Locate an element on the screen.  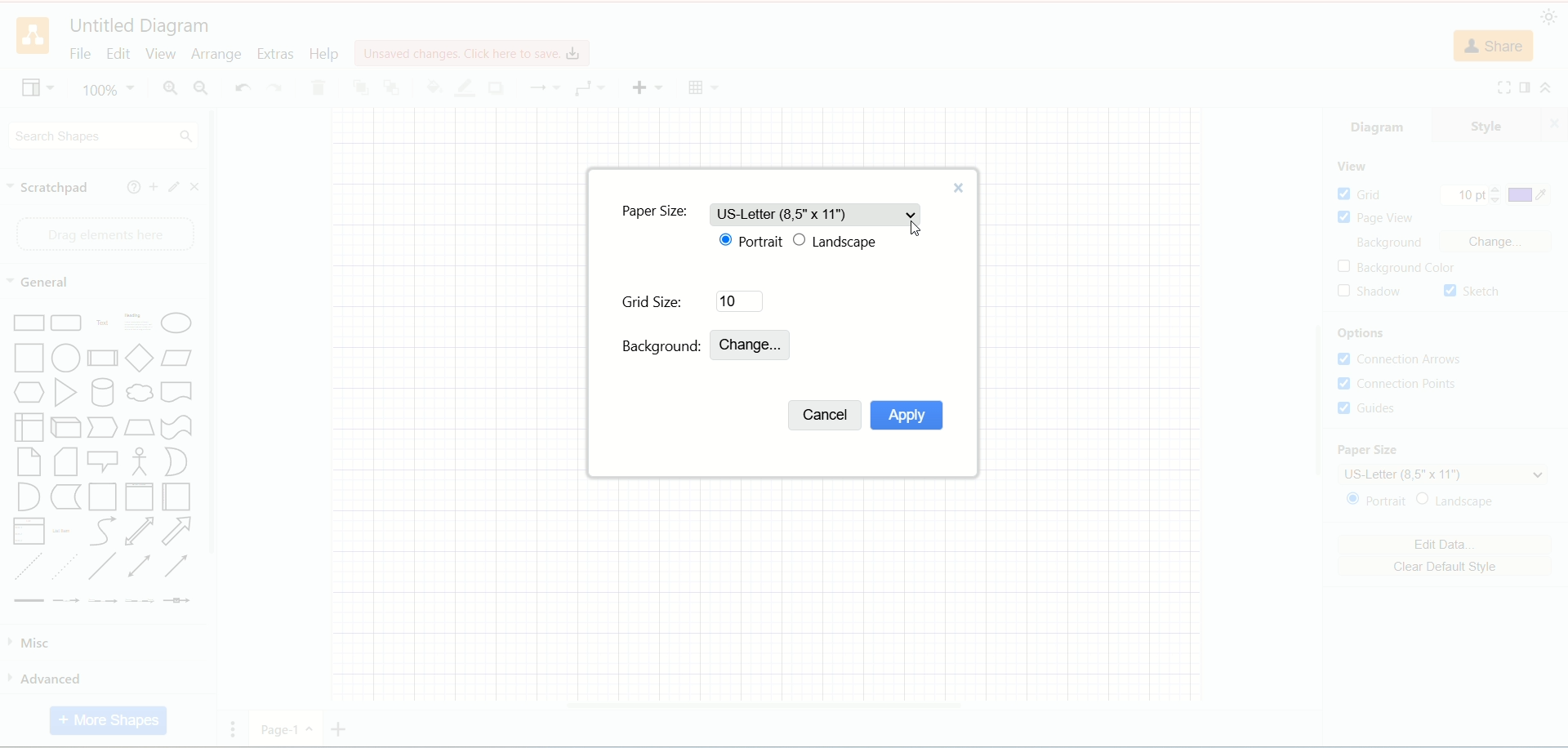
Pages is located at coordinates (237, 733).